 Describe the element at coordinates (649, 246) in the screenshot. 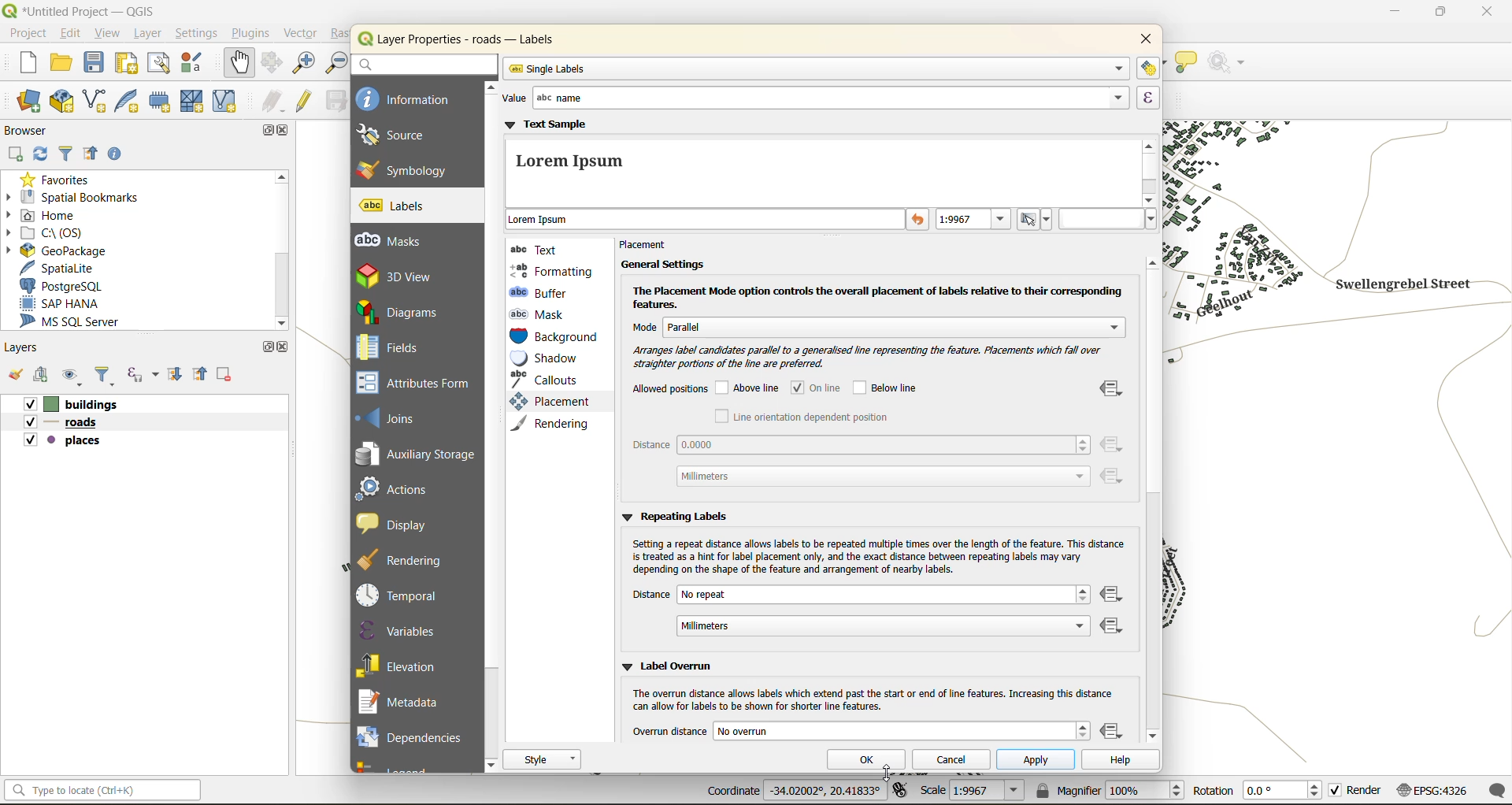

I see `placement` at that location.